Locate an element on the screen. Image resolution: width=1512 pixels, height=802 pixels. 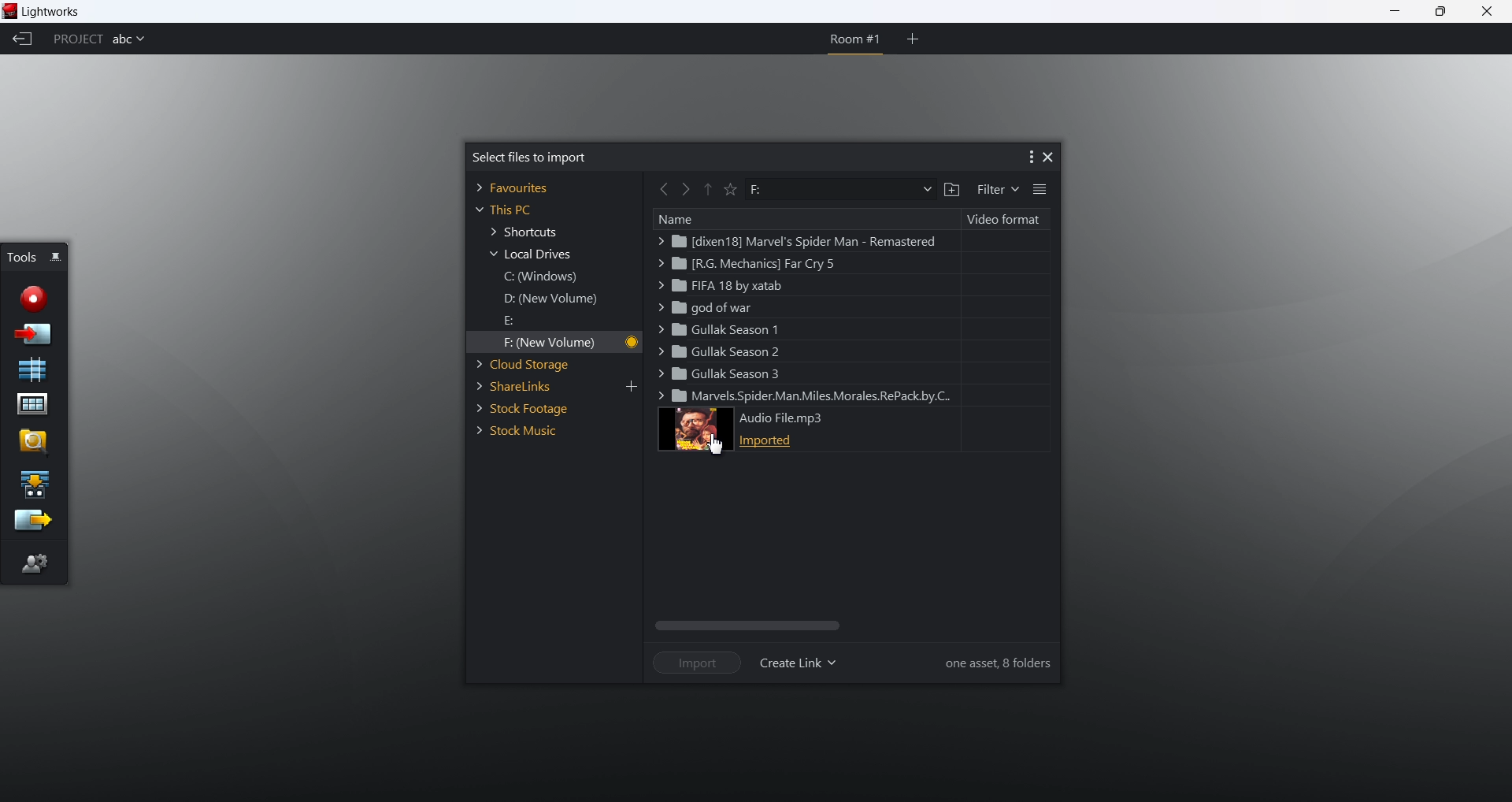
cursor is located at coordinates (716, 444).